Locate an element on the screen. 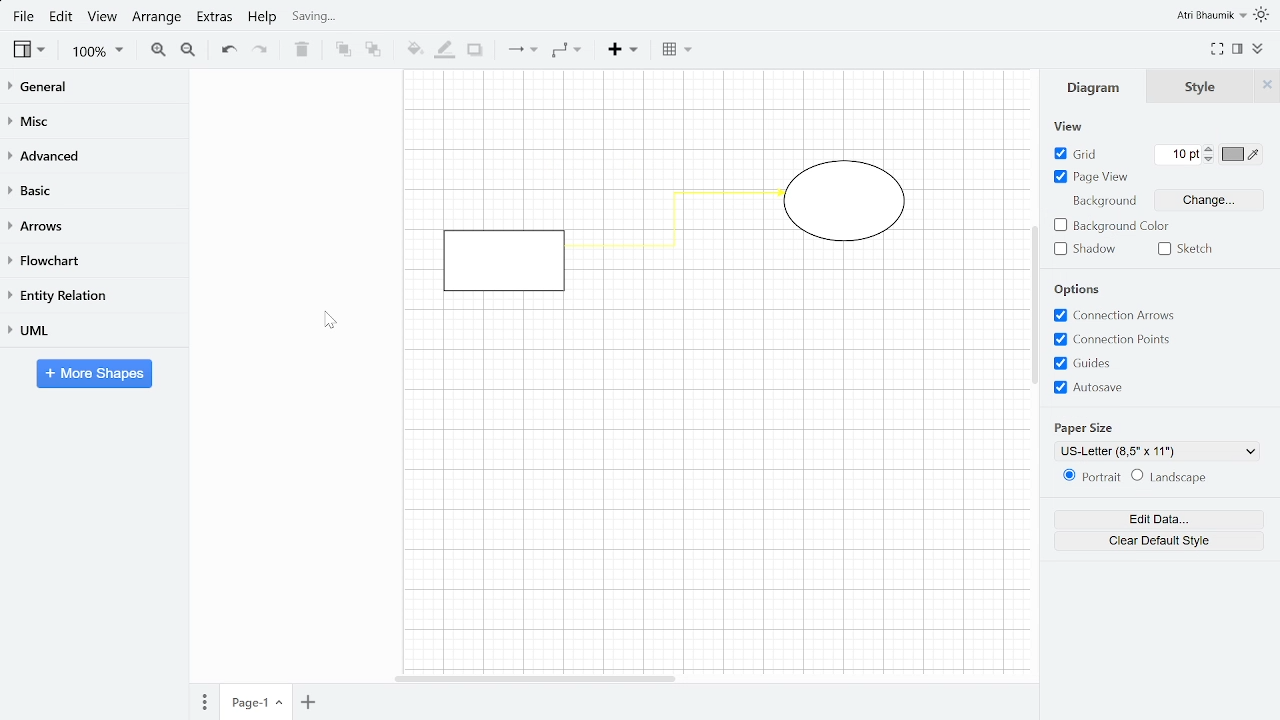 Image resolution: width=1280 pixels, height=720 pixels. Background color is located at coordinates (1111, 225).